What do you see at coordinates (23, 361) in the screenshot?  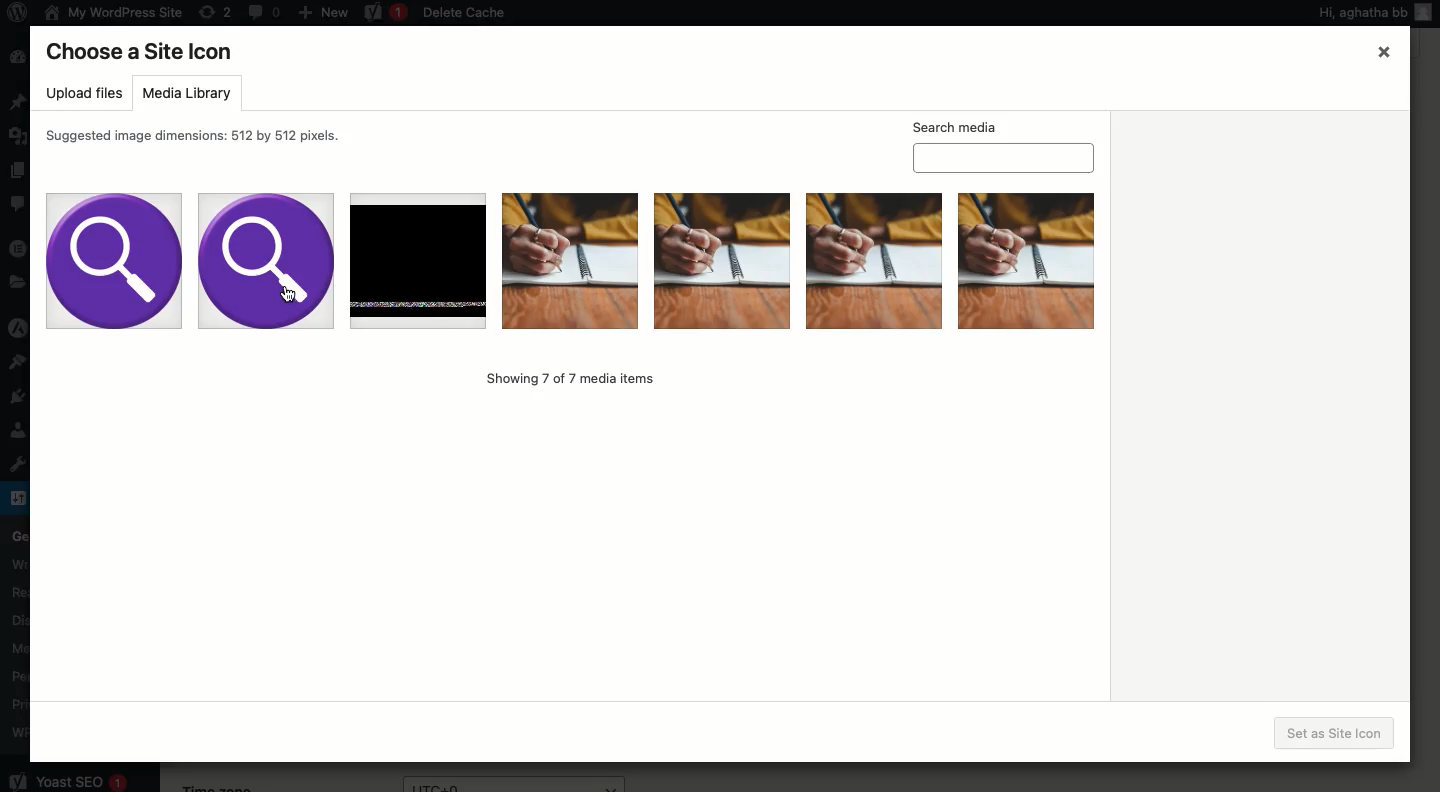 I see `Appearance` at bounding box center [23, 361].